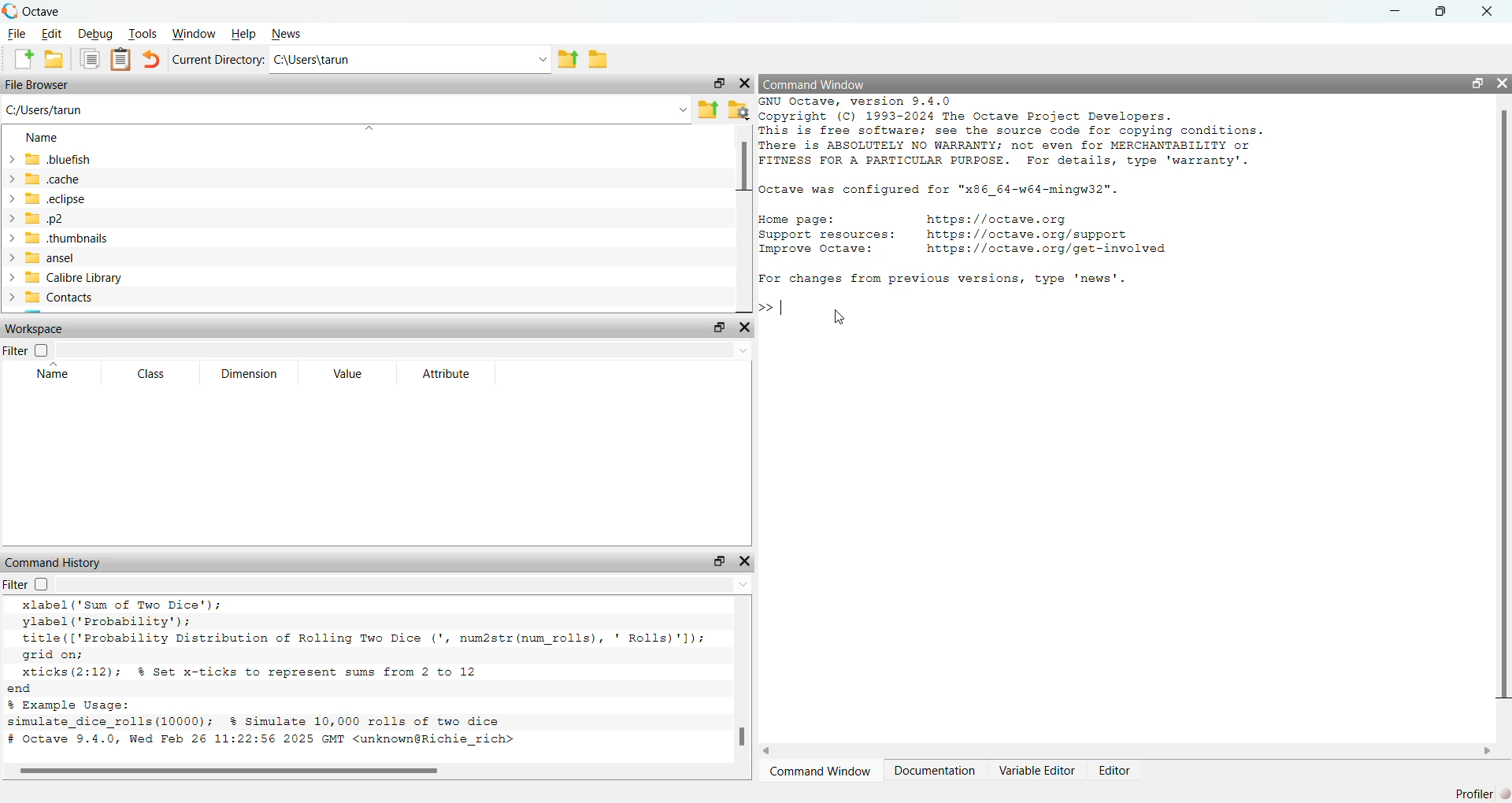 The width and height of the screenshot is (1512, 803). Describe the element at coordinates (741, 738) in the screenshot. I see `Scrollbar` at that location.